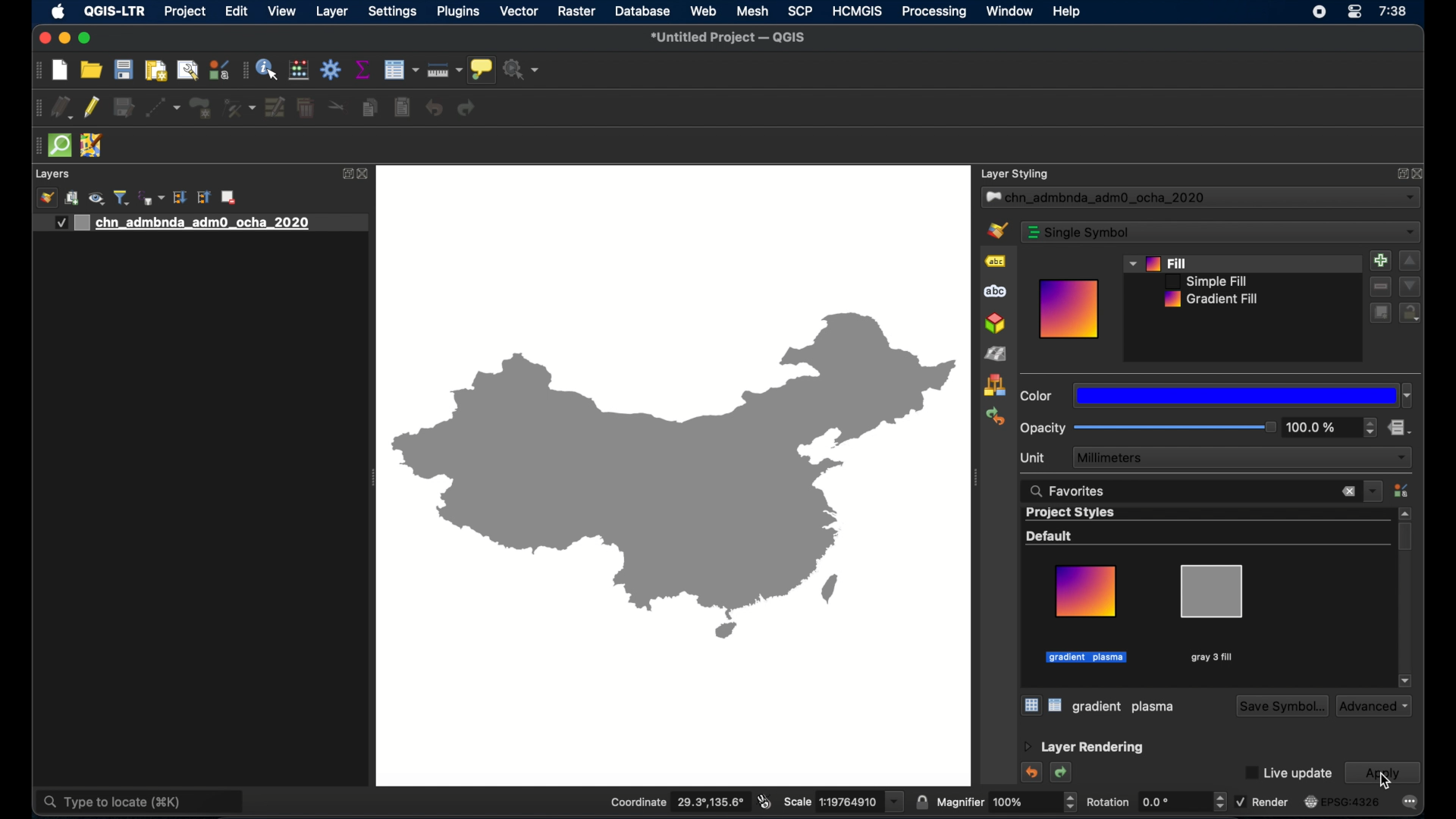 The image size is (1456, 819). I want to click on slider , so click(1176, 427).